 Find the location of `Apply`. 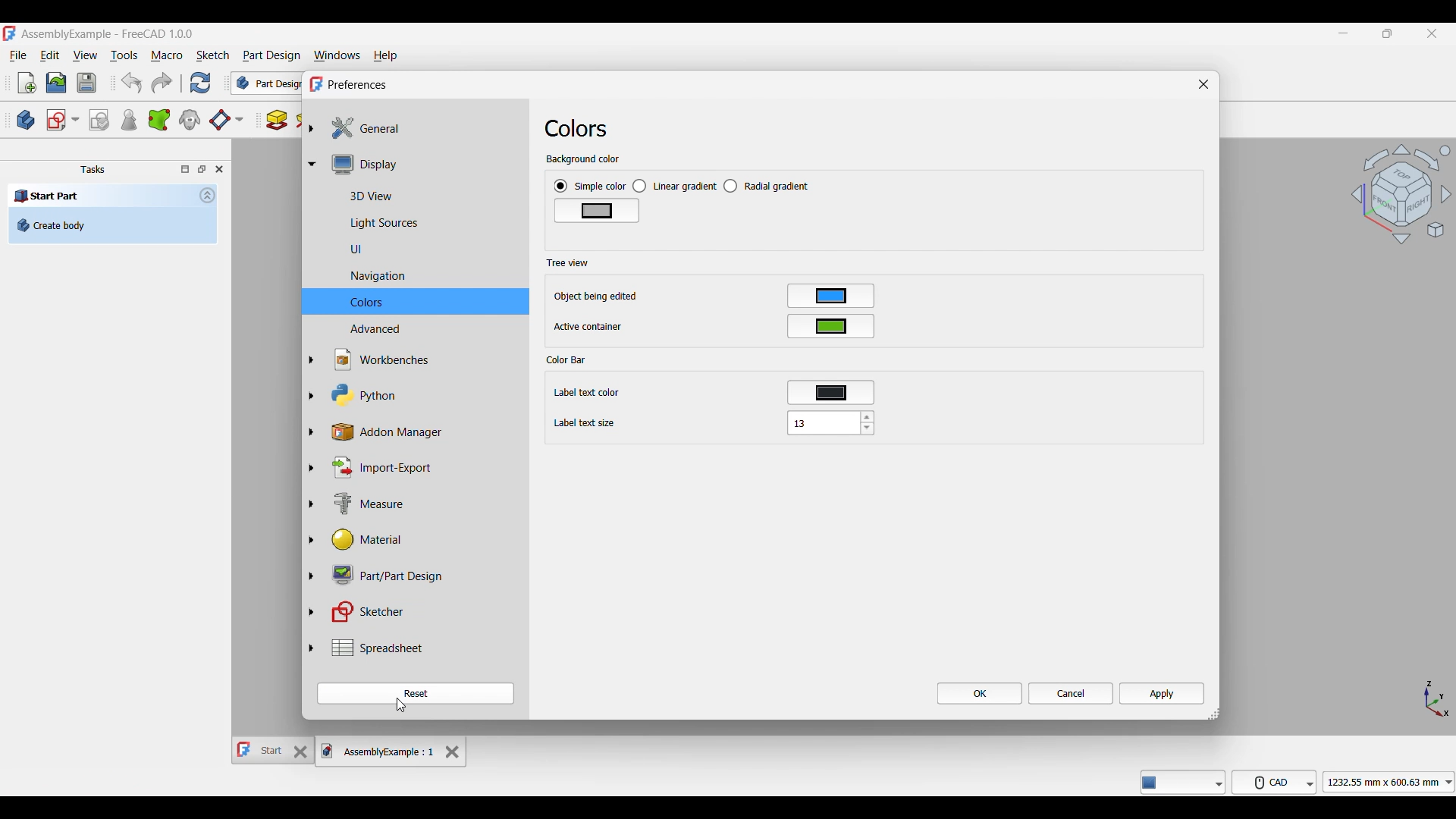

Apply is located at coordinates (1162, 693).